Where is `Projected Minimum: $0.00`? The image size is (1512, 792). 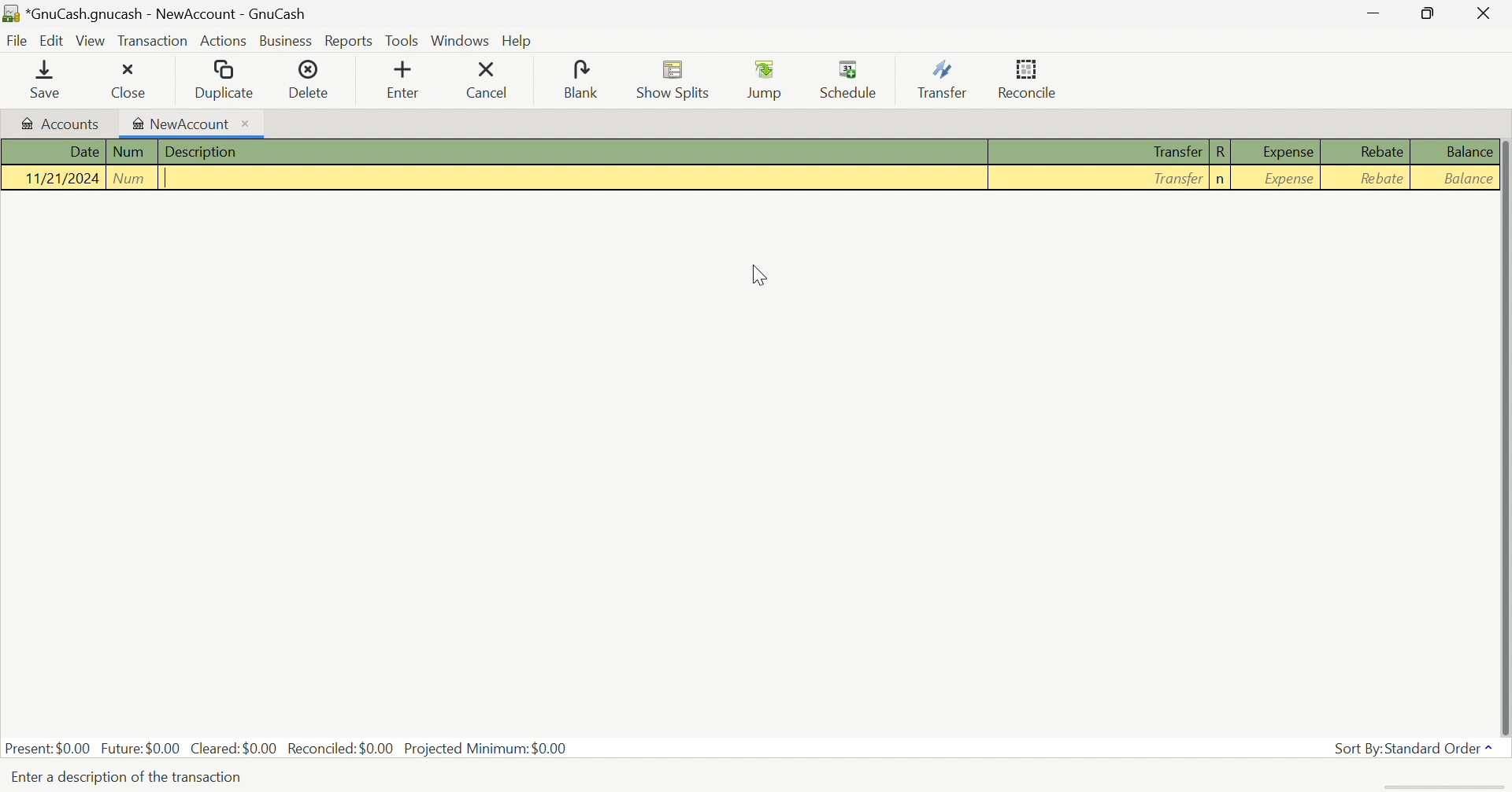
Projected Minimum: $0.00 is located at coordinates (486, 749).